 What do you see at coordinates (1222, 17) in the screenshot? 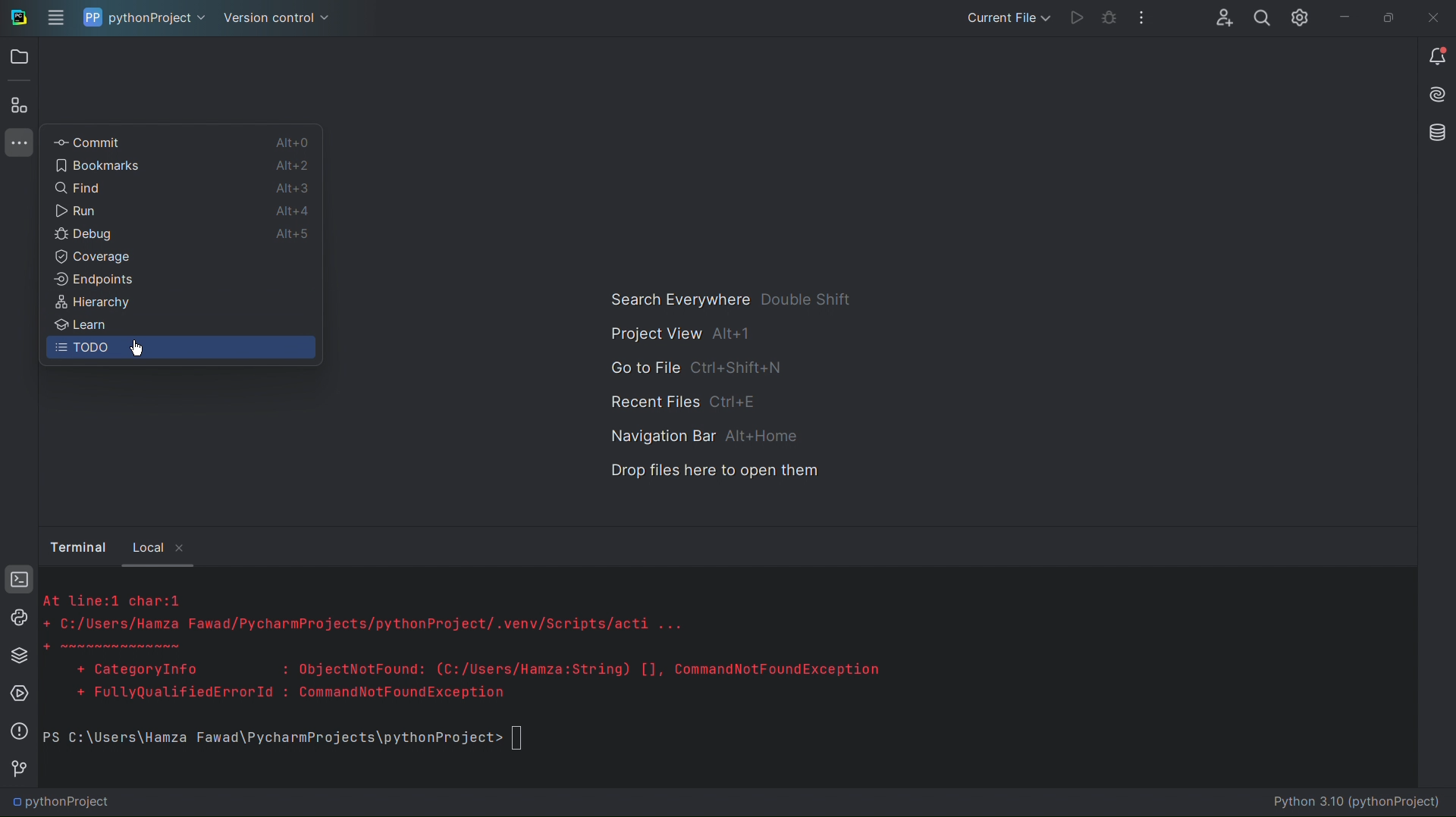
I see `Account` at bounding box center [1222, 17].